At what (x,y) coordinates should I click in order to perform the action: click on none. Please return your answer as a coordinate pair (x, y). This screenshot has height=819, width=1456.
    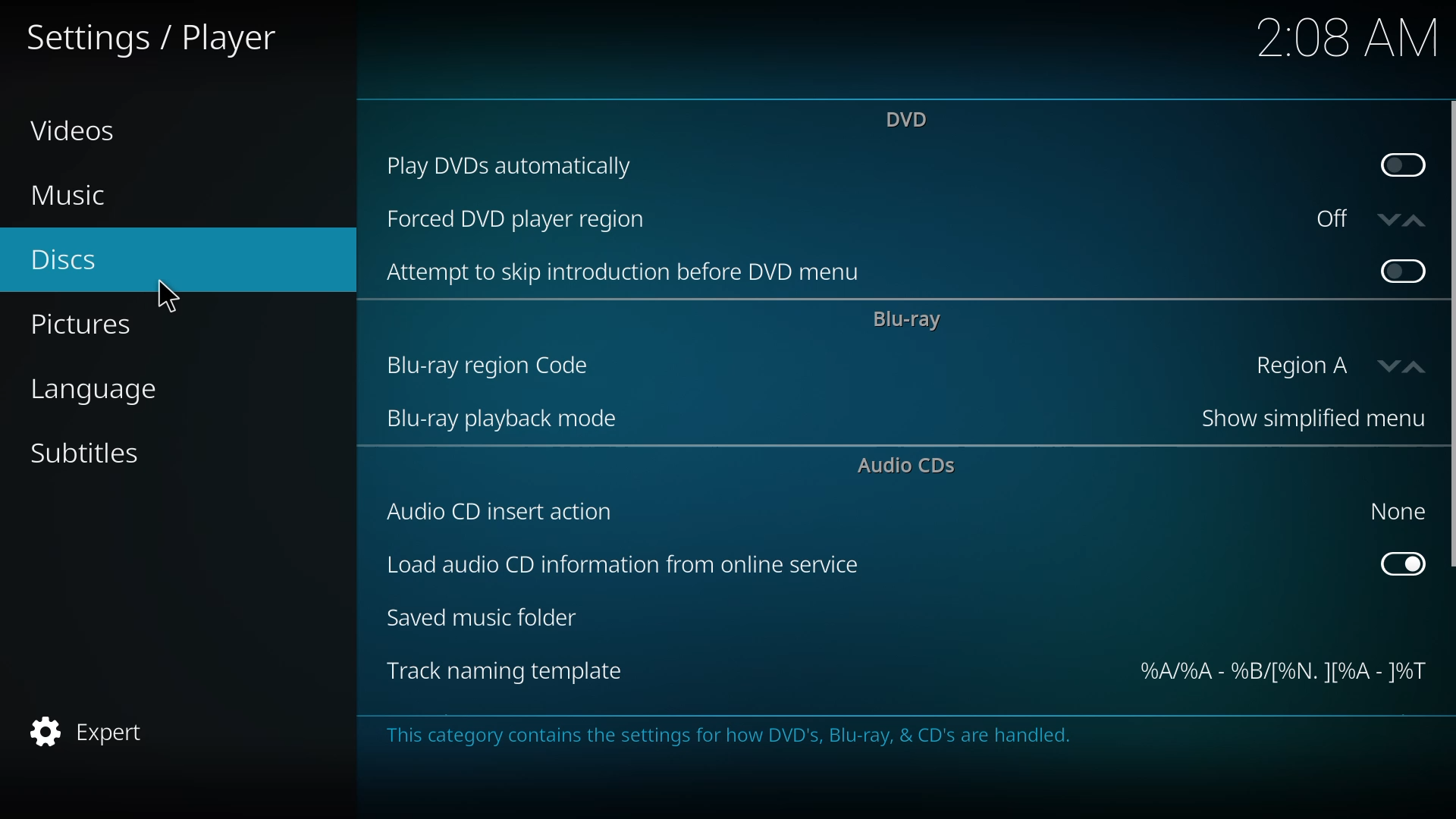
    Looking at the image, I should click on (1393, 510).